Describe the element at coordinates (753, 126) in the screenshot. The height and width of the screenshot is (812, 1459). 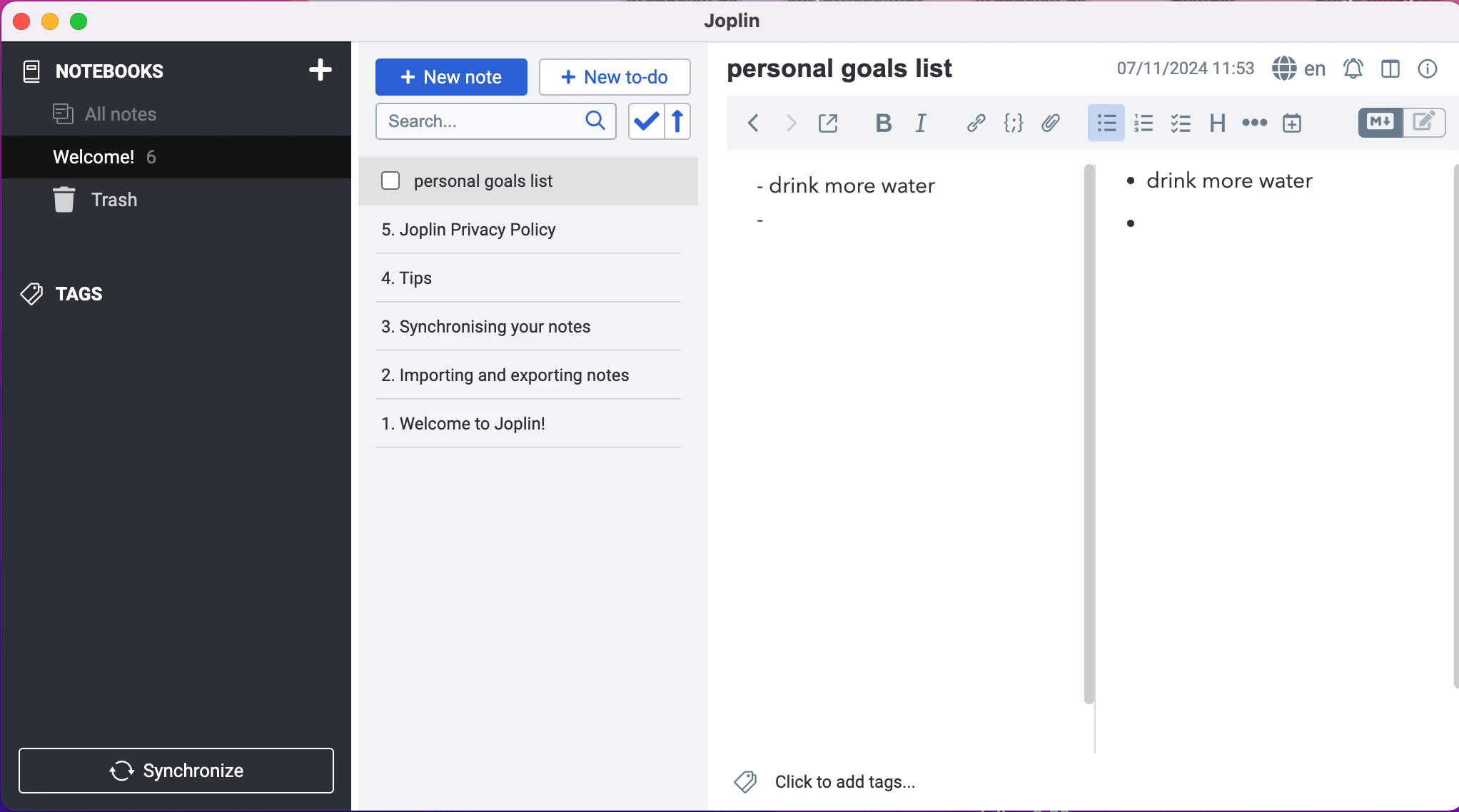
I see `back` at that location.